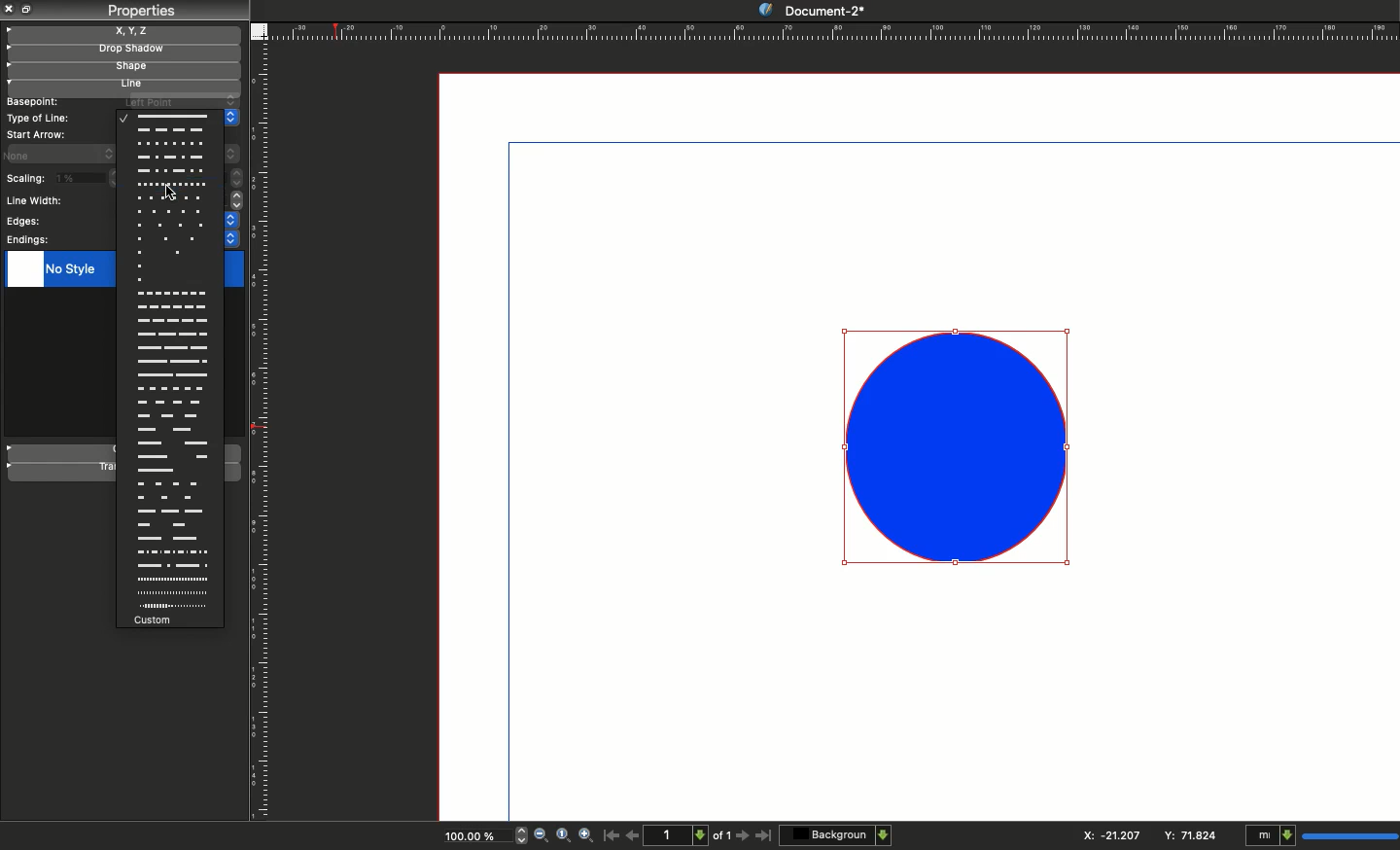 This screenshot has height=850, width=1400. What do you see at coordinates (29, 240) in the screenshot?
I see `Endings` at bounding box center [29, 240].